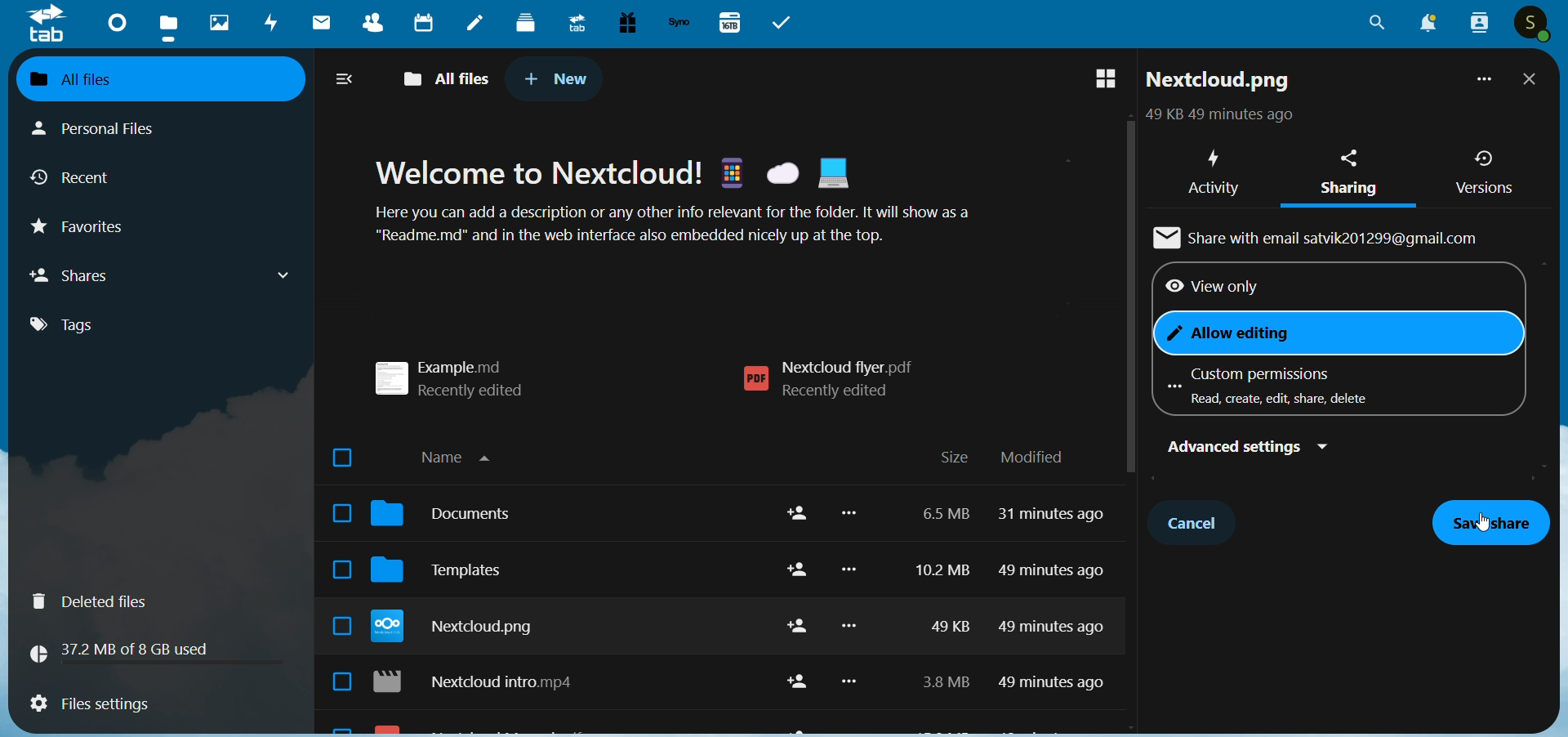 The image size is (1568, 737). Describe the element at coordinates (1032, 458) in the screenshot. I see `modified` at that location.